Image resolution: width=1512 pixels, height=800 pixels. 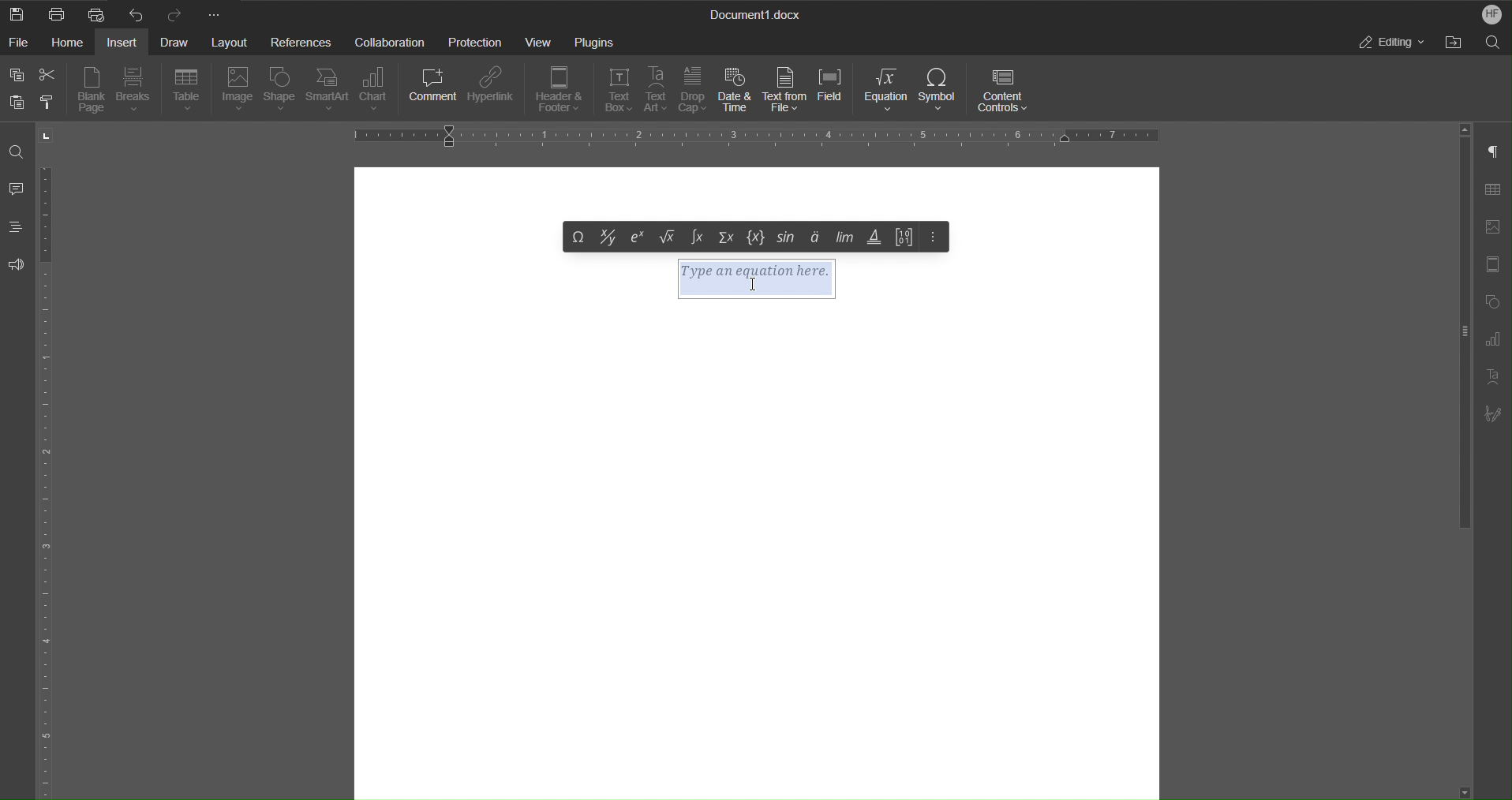 What do you see at coordinates (216, 13) in the screenshot?
I see `More` at bounding box center [216, 13].